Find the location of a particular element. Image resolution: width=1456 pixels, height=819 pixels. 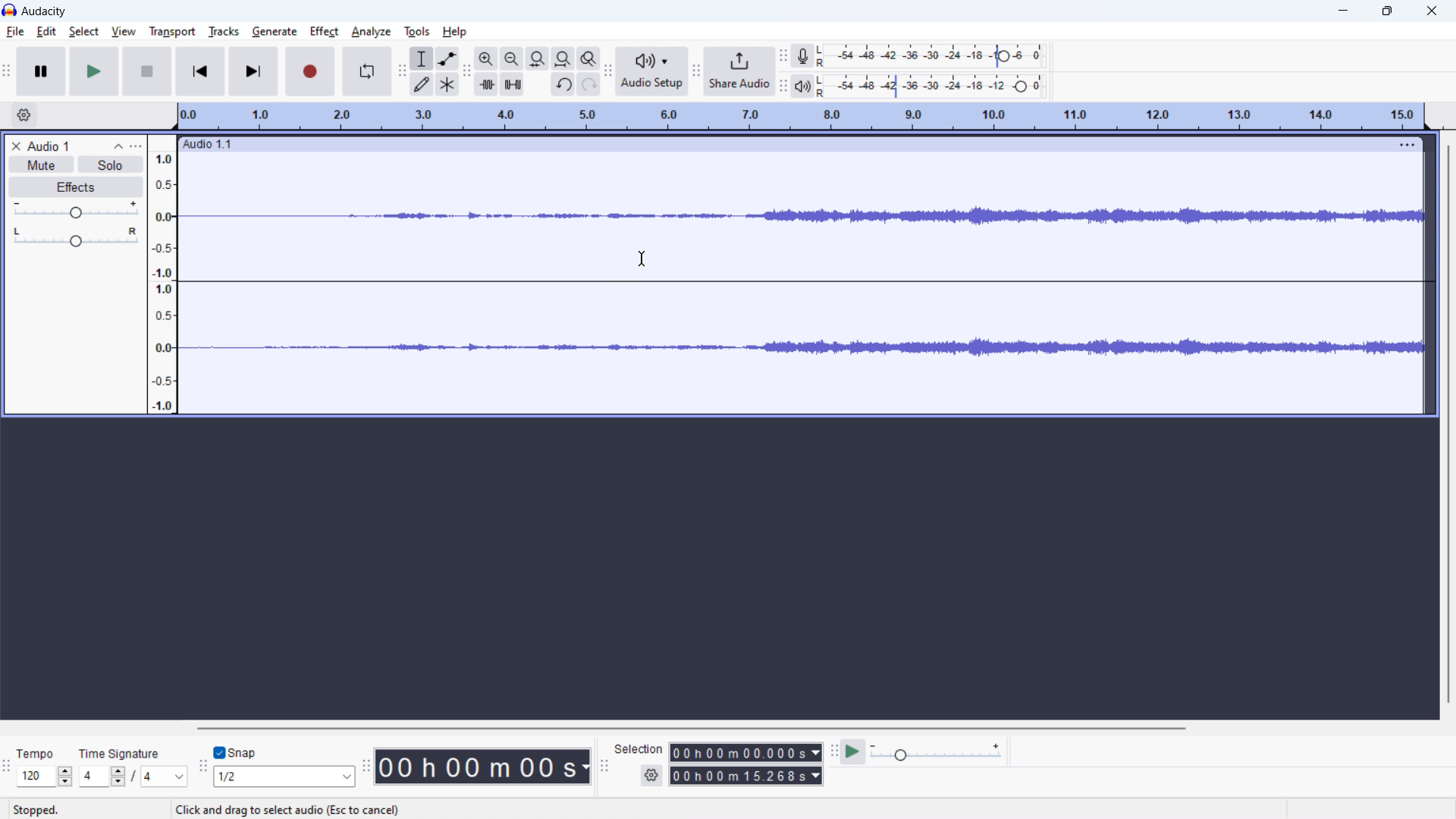

pause is located at coordinates (42, 71).